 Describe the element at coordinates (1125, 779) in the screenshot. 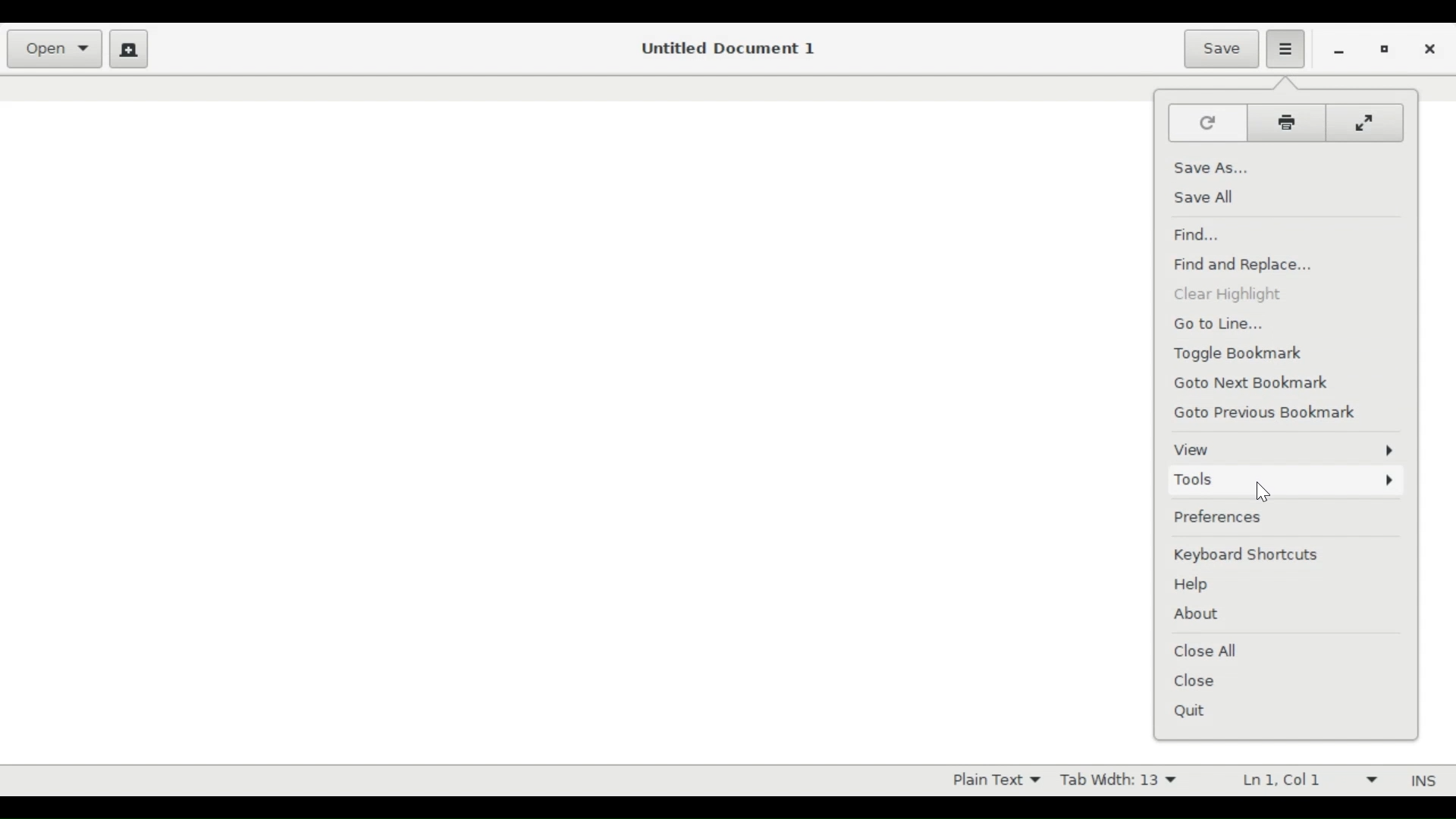

I see `Tab Width 13` at that location.